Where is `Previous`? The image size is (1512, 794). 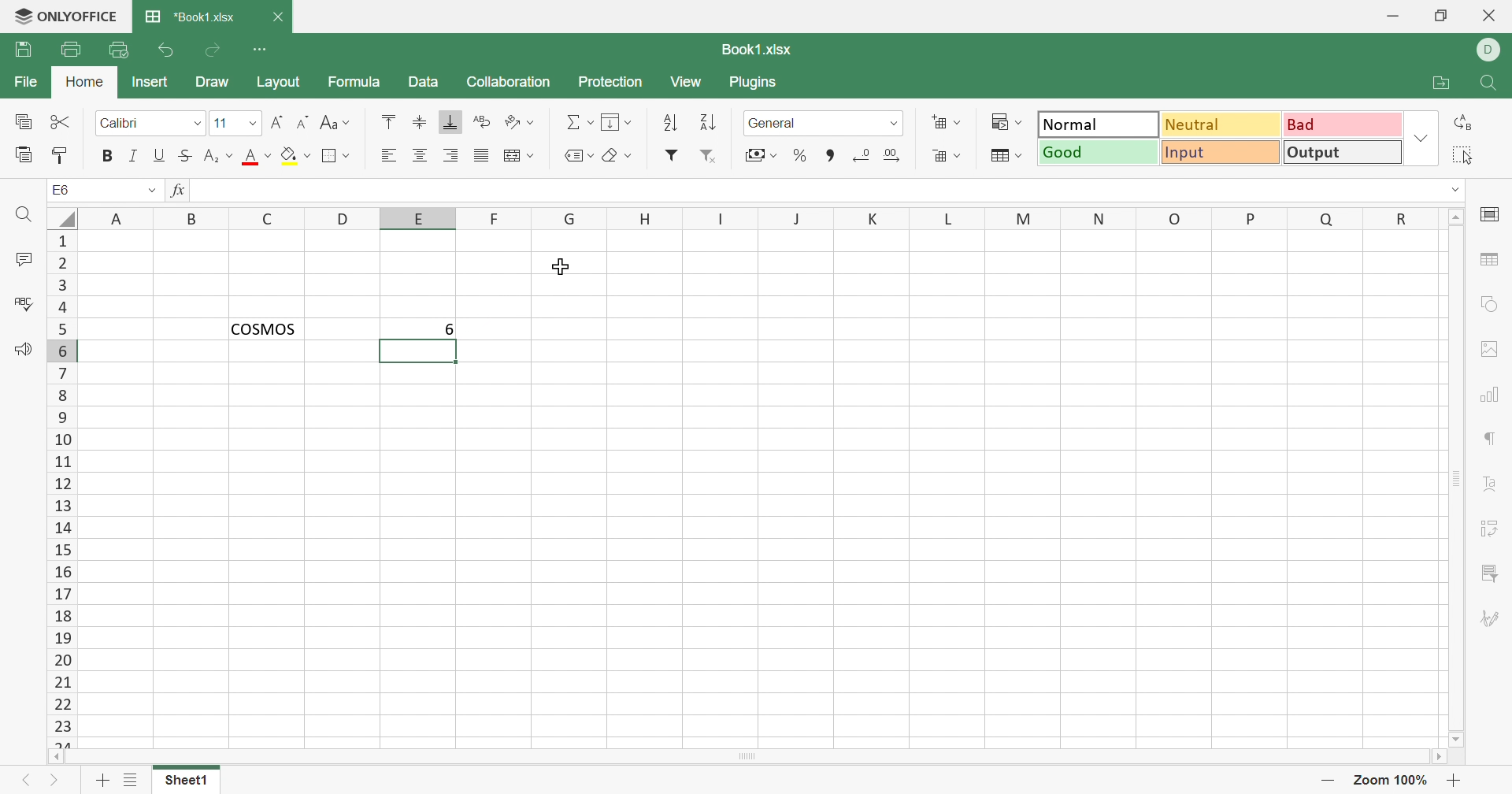 Previous is located at coordinates (24, 781).